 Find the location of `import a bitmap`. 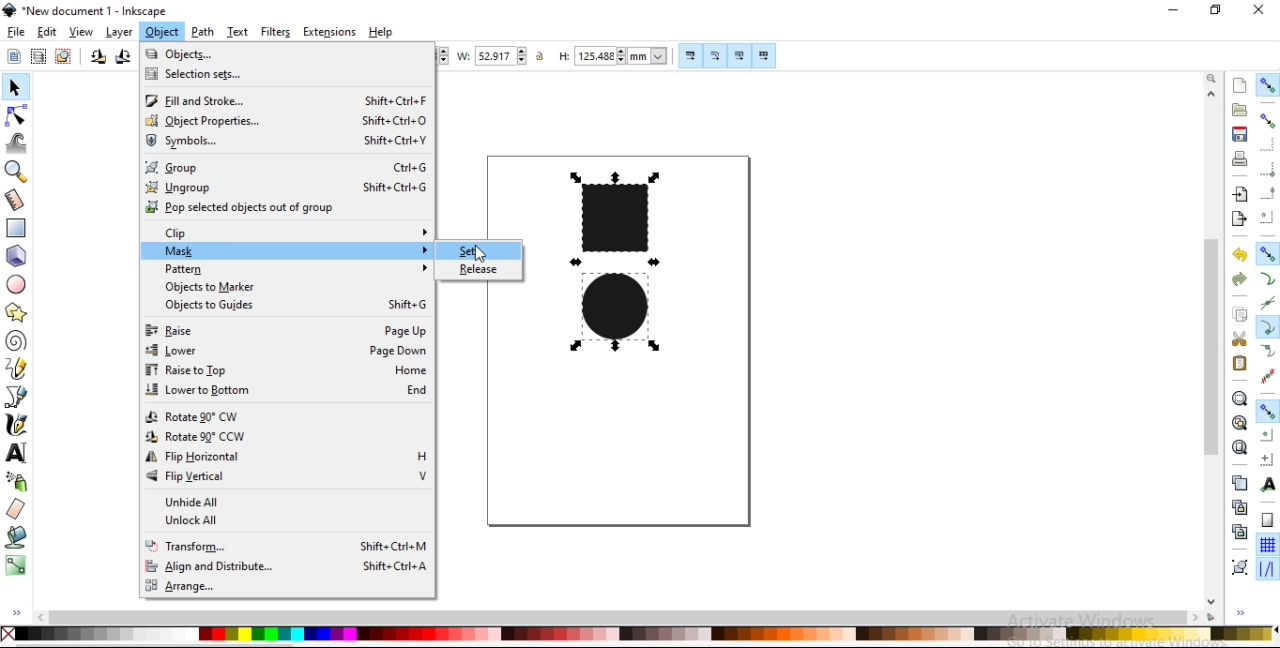

import a bitmap is located at coordinates (1241, 194).